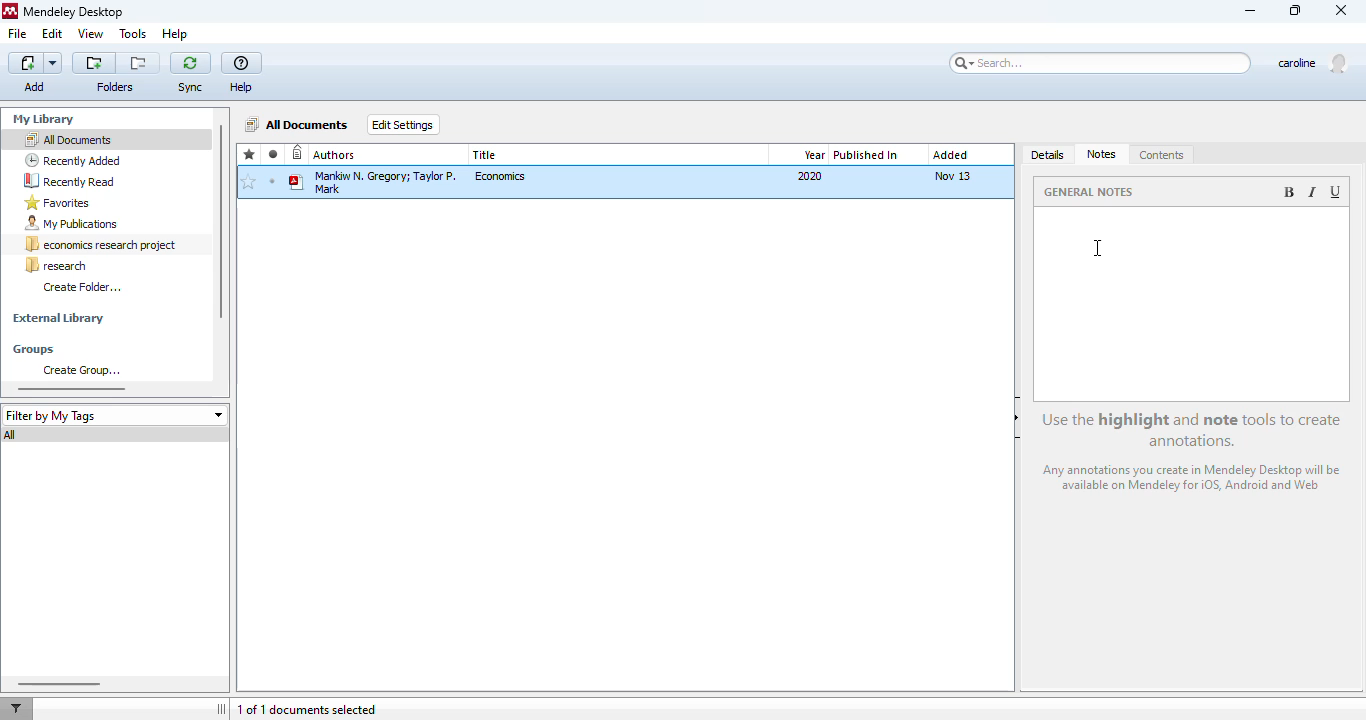  I want to click on use the highlight and note tools to create annotations., so click(1194, 430).